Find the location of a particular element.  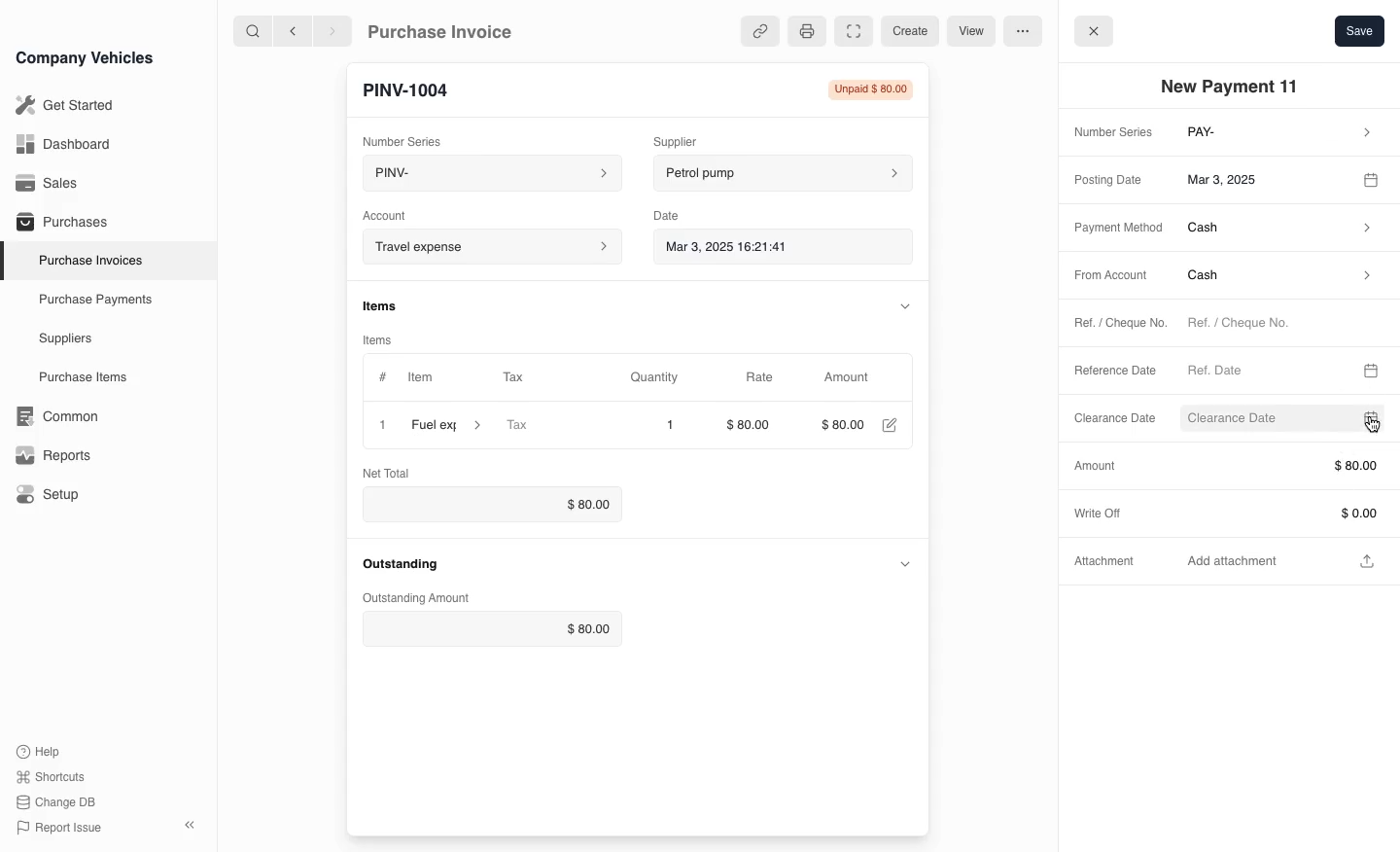

collapse is located at coordinates (901, 304).